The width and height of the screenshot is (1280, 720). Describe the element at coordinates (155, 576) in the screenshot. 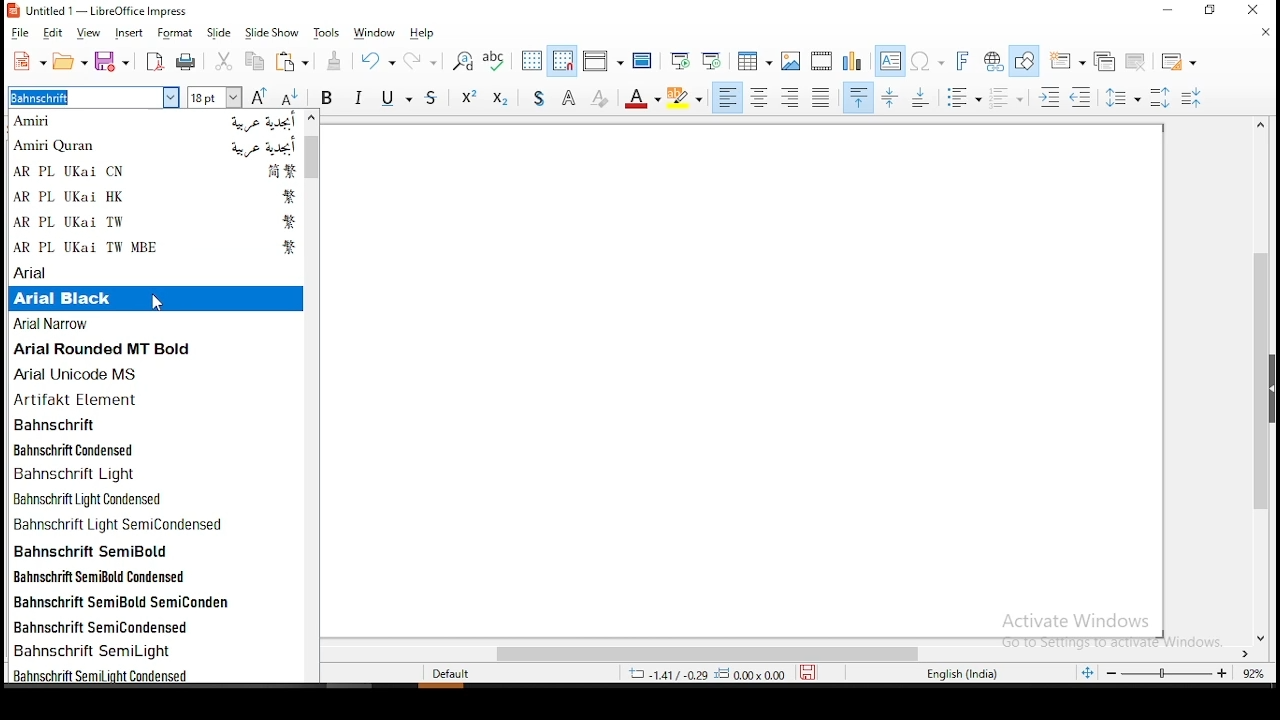

I see `bahnschrift semibold condensed` at that location.